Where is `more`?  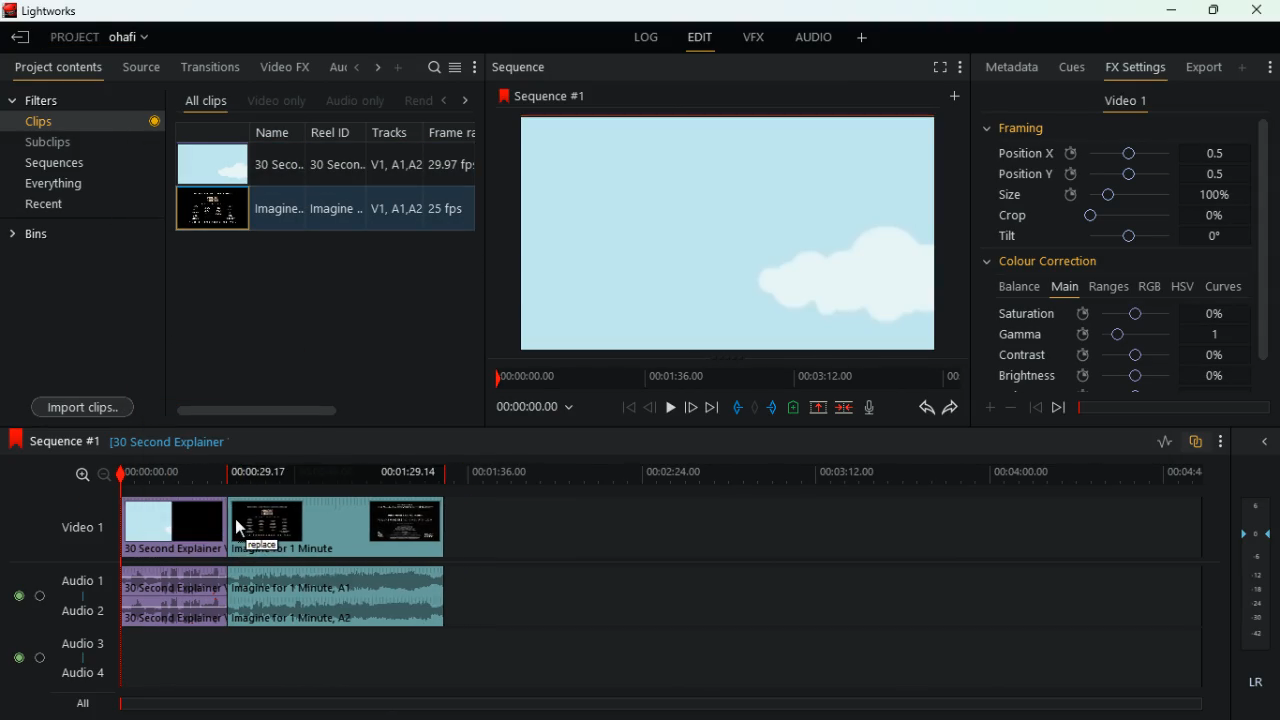 more is located at coordinates (400, 67).